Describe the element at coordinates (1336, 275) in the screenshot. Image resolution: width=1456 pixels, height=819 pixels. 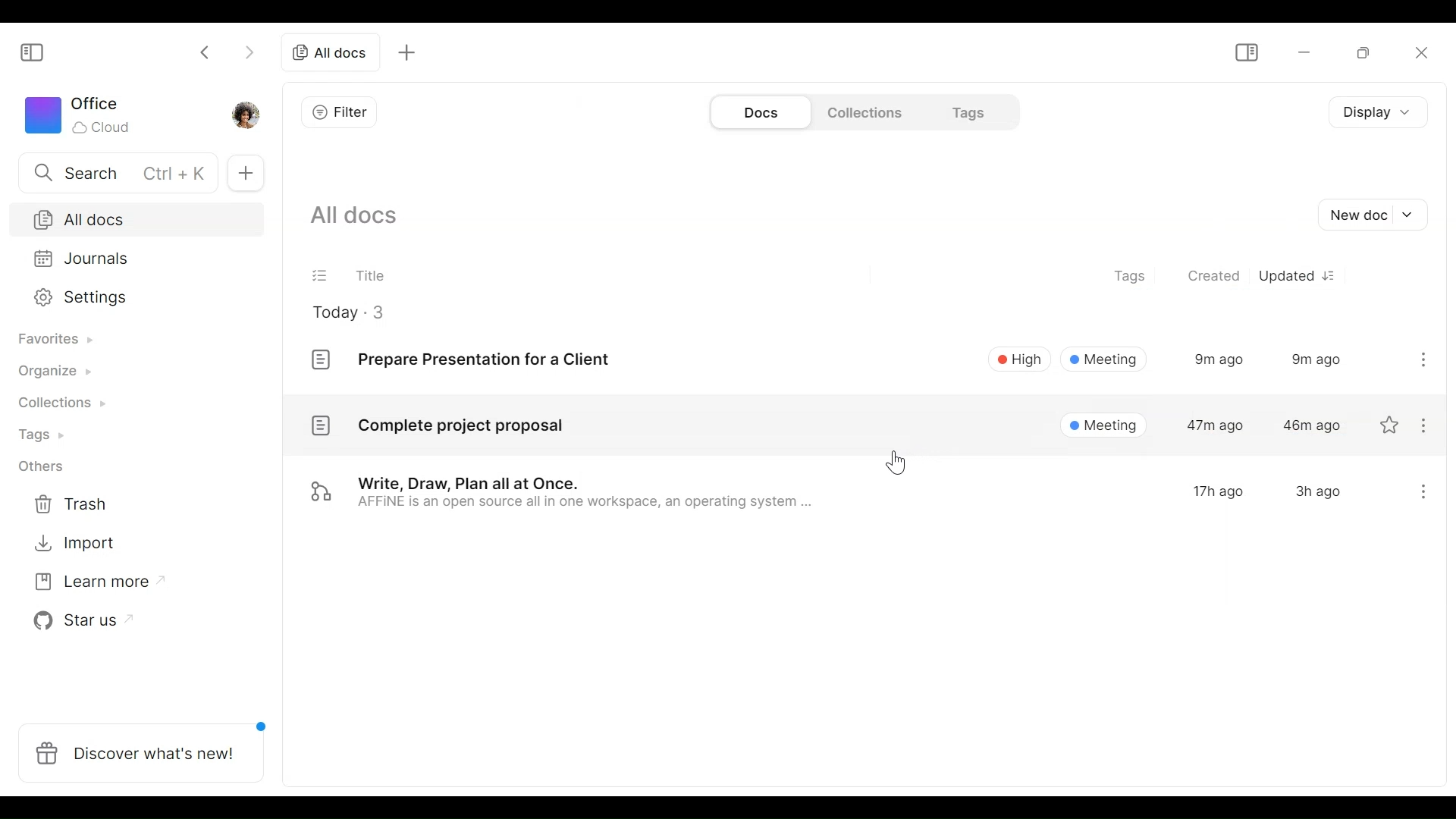
I see `Sort` at that location.